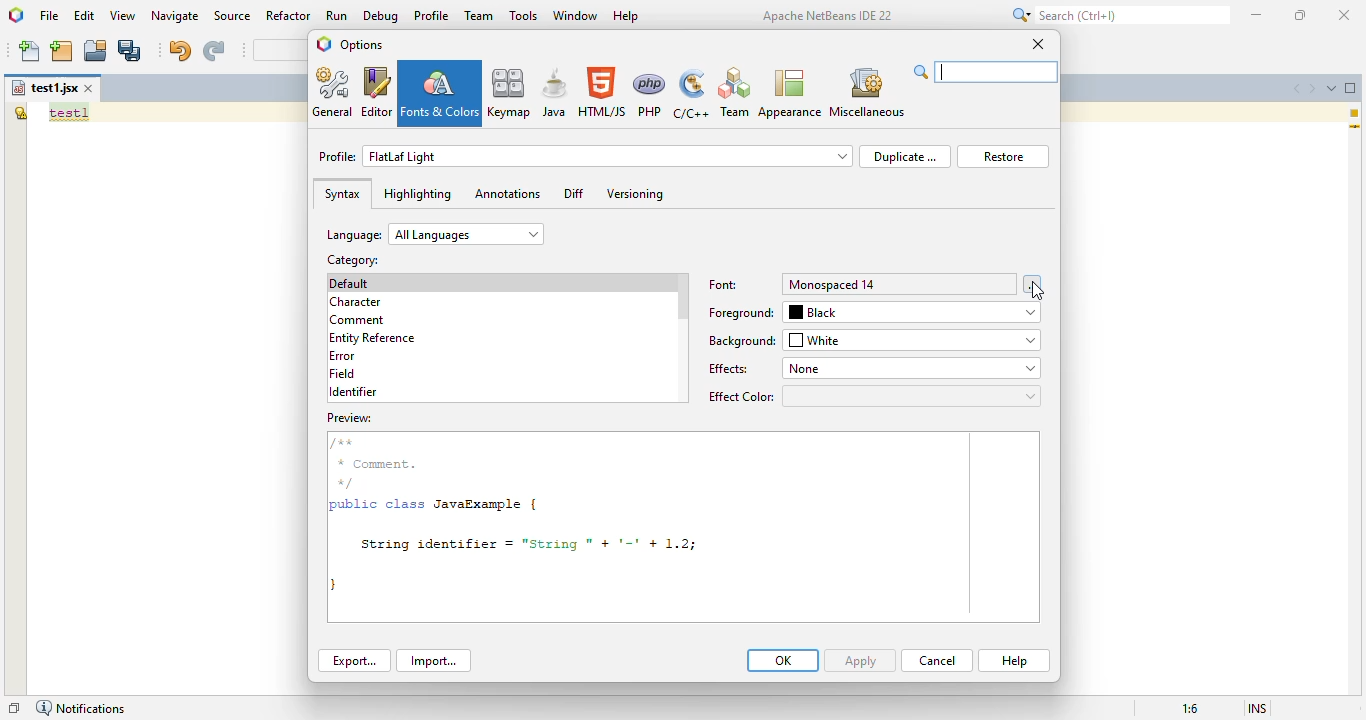 The width and height of the screenshot is (1366, 720). What do you see at coordinates (914, 367) in the screenshot?
I see `none` at bounding box center [914, 367].